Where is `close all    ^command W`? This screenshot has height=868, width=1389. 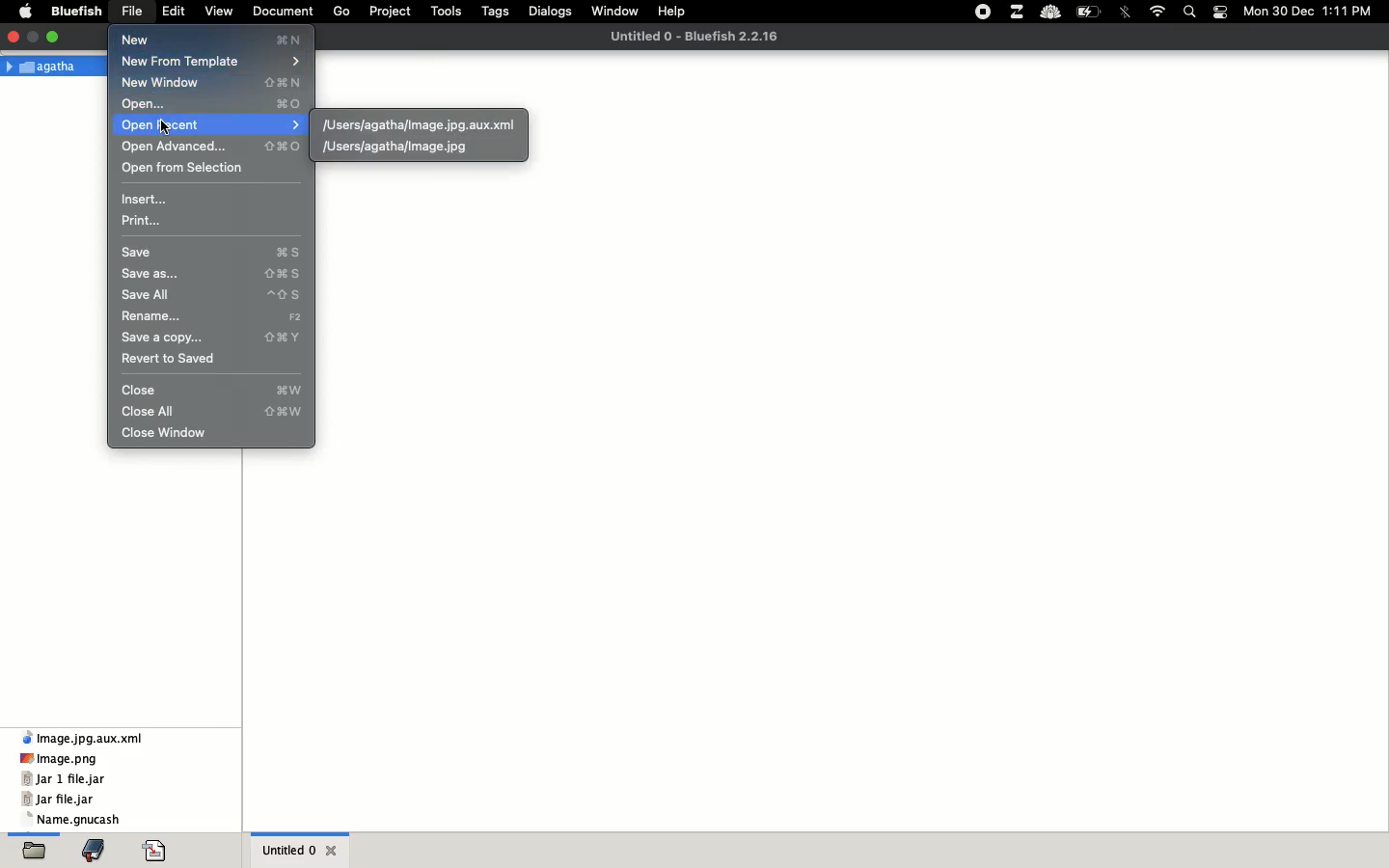
close all    ^command W is located at coordinates (215, 412).